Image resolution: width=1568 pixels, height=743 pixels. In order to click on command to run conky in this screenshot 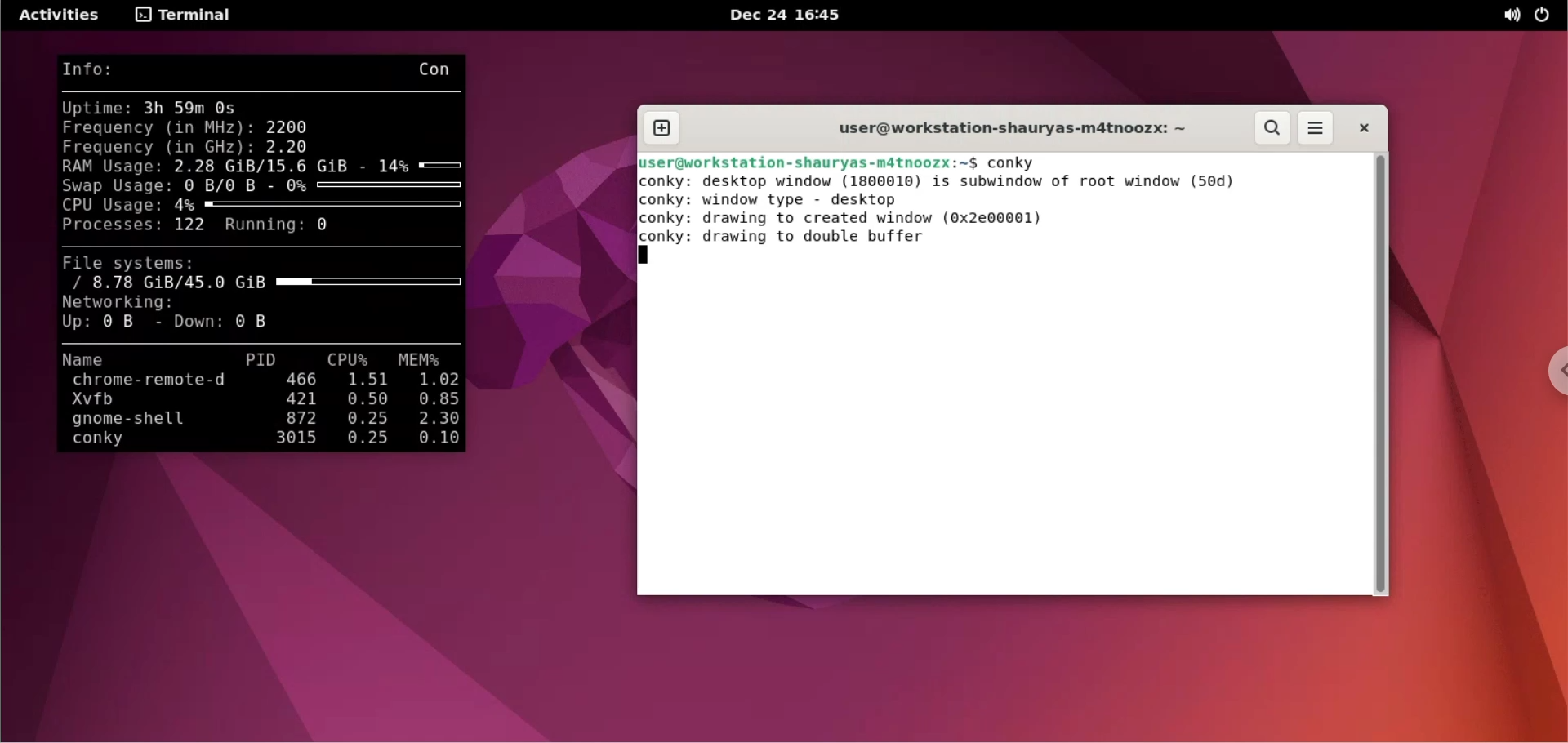, I will do `click(1016, 161)`.